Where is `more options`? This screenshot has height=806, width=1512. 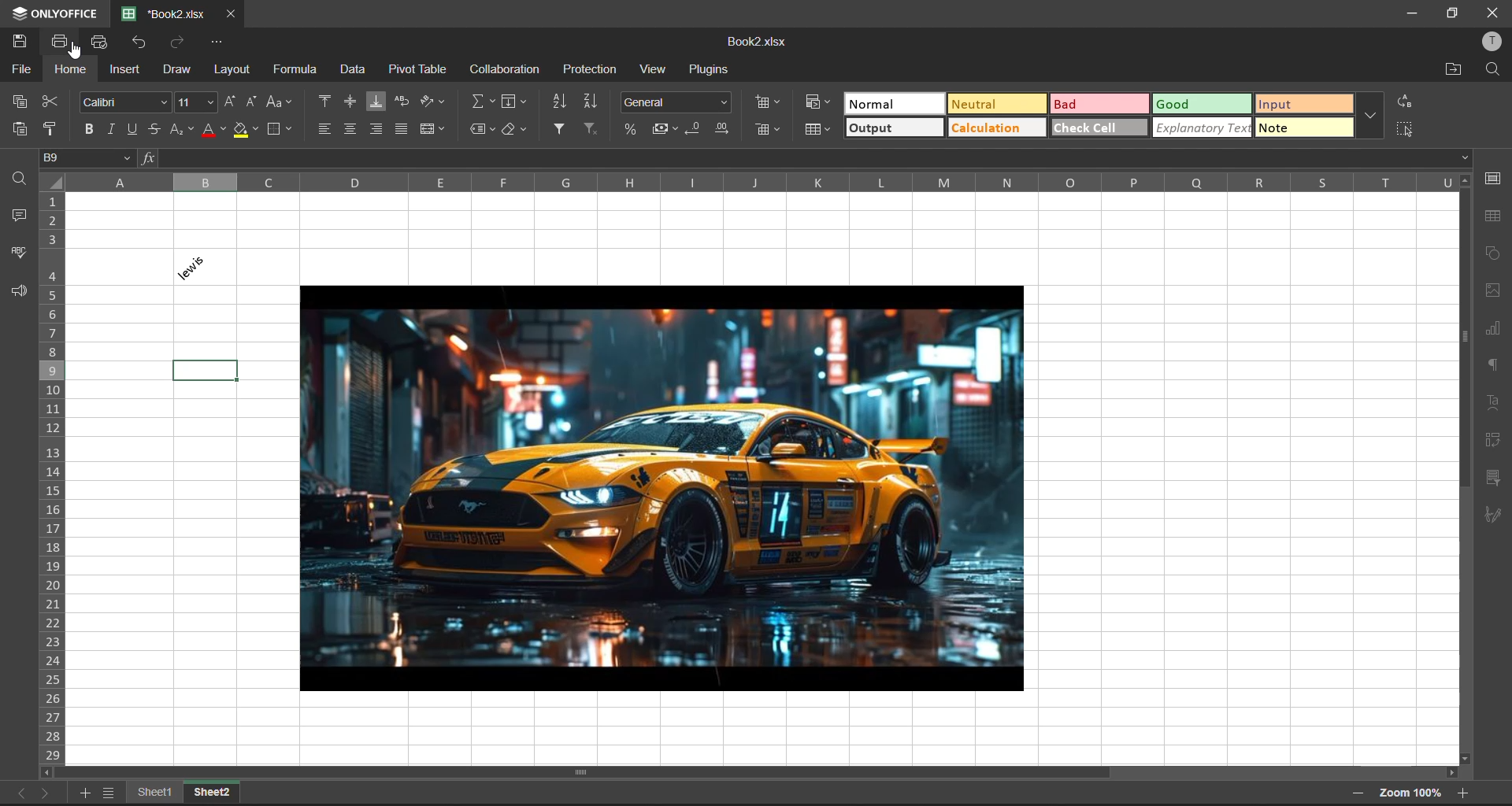 more options is located at coordinates (1369, 118).